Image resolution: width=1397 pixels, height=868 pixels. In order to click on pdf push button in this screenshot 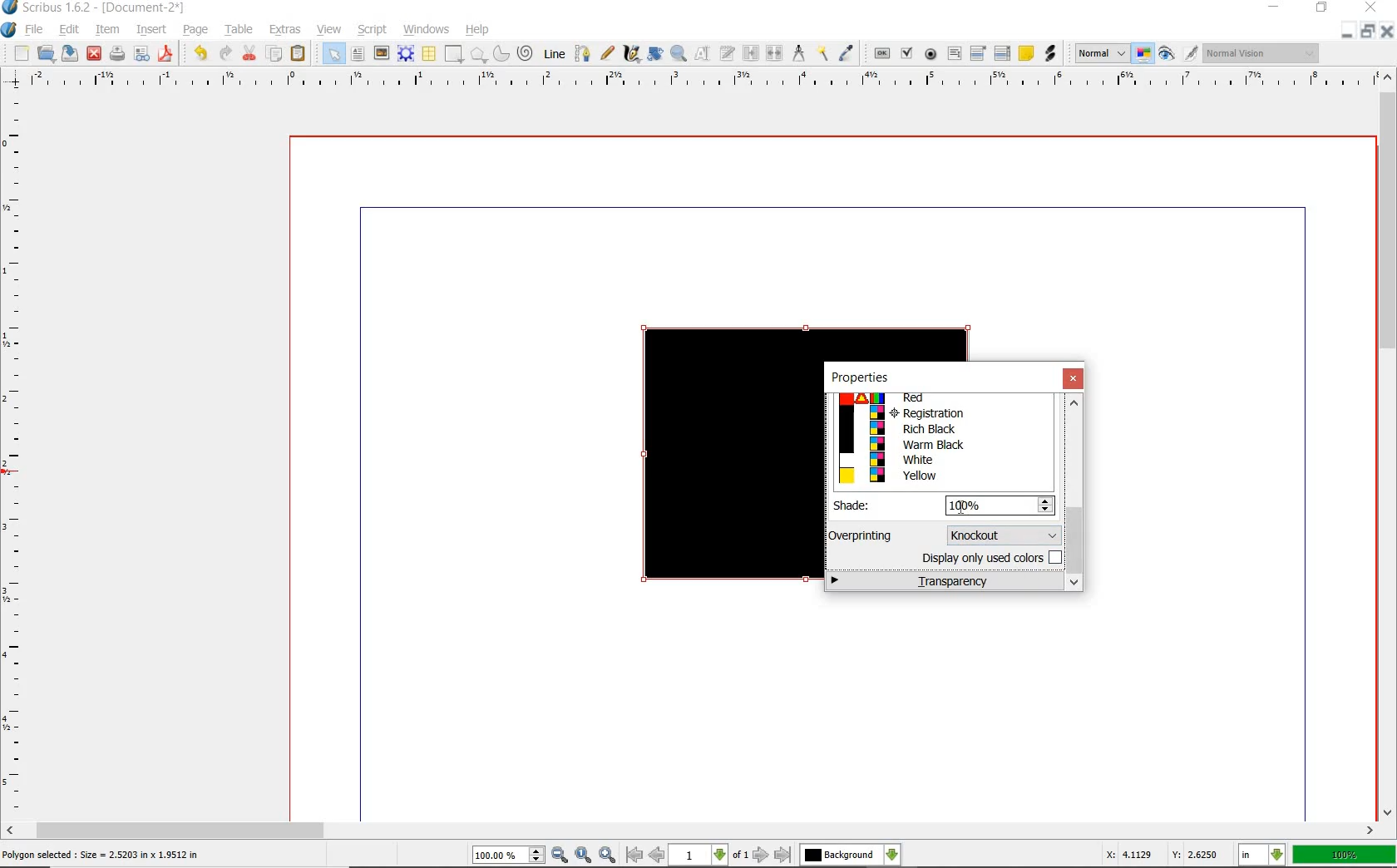, I will do `click(880, 55)`.